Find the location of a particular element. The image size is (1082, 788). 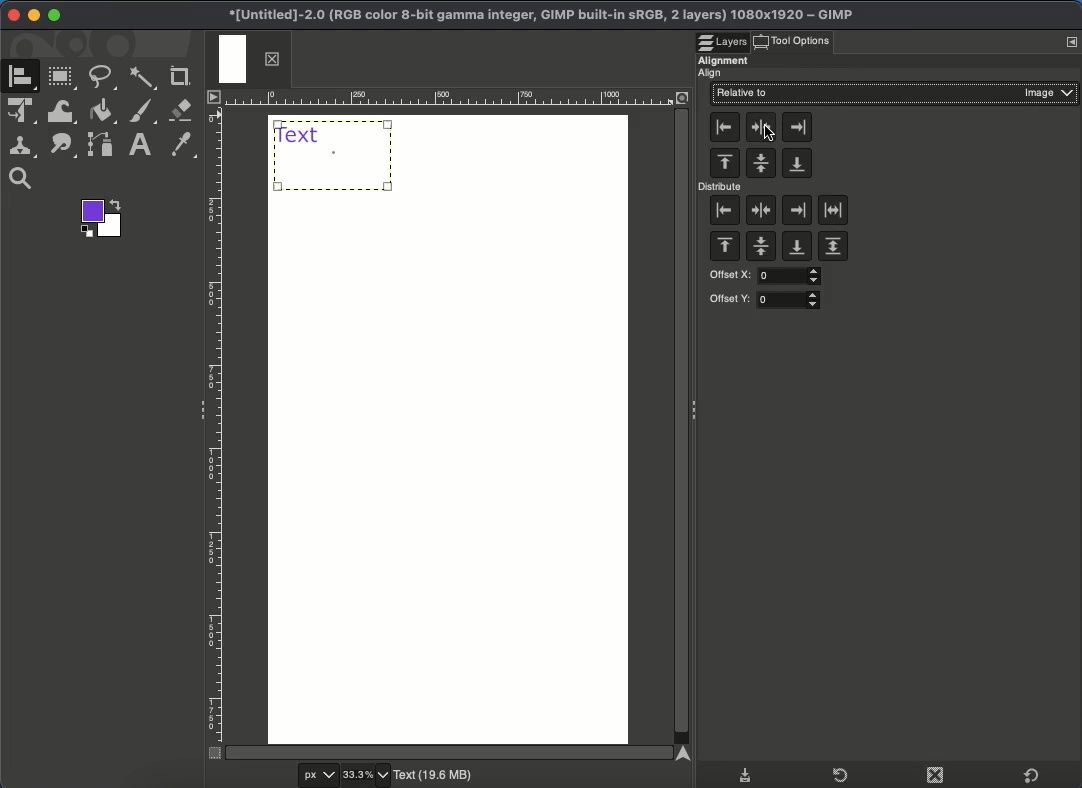

Align to the bottom is located at coordinates (795, 164).